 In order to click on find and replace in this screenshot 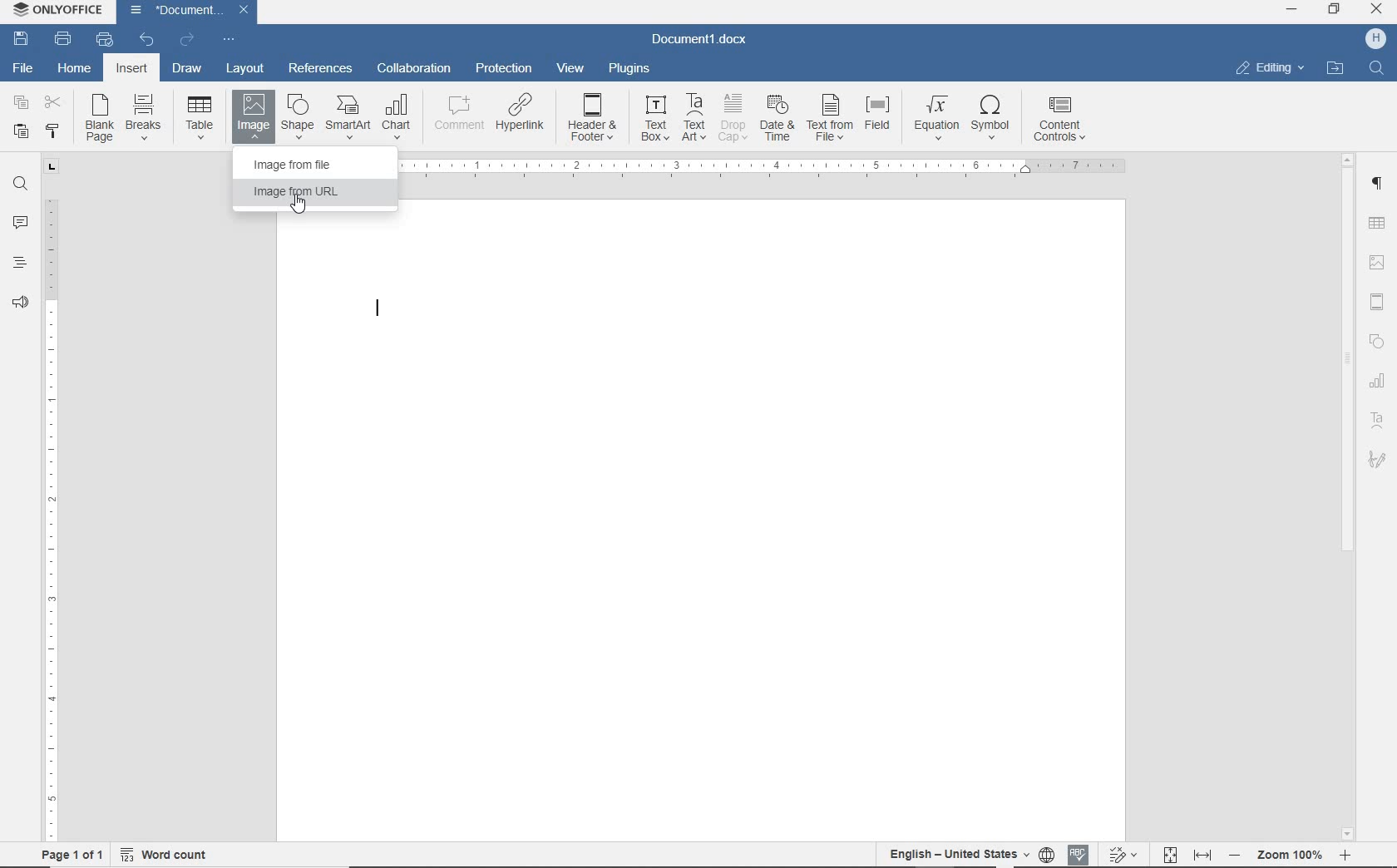, I will do `click(23, 184)`.